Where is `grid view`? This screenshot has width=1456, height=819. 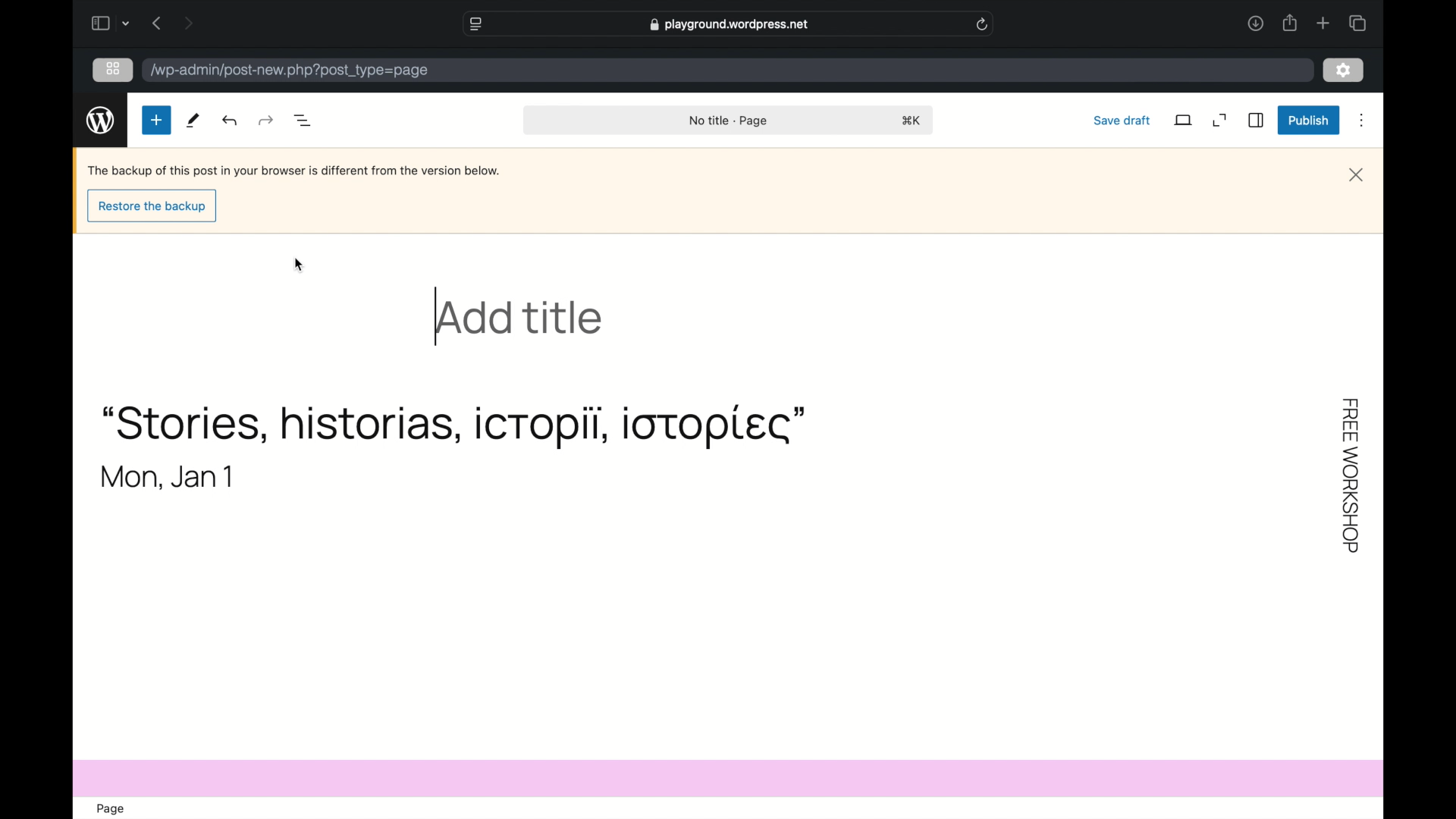
grid view is located at coordinates (113, 69).